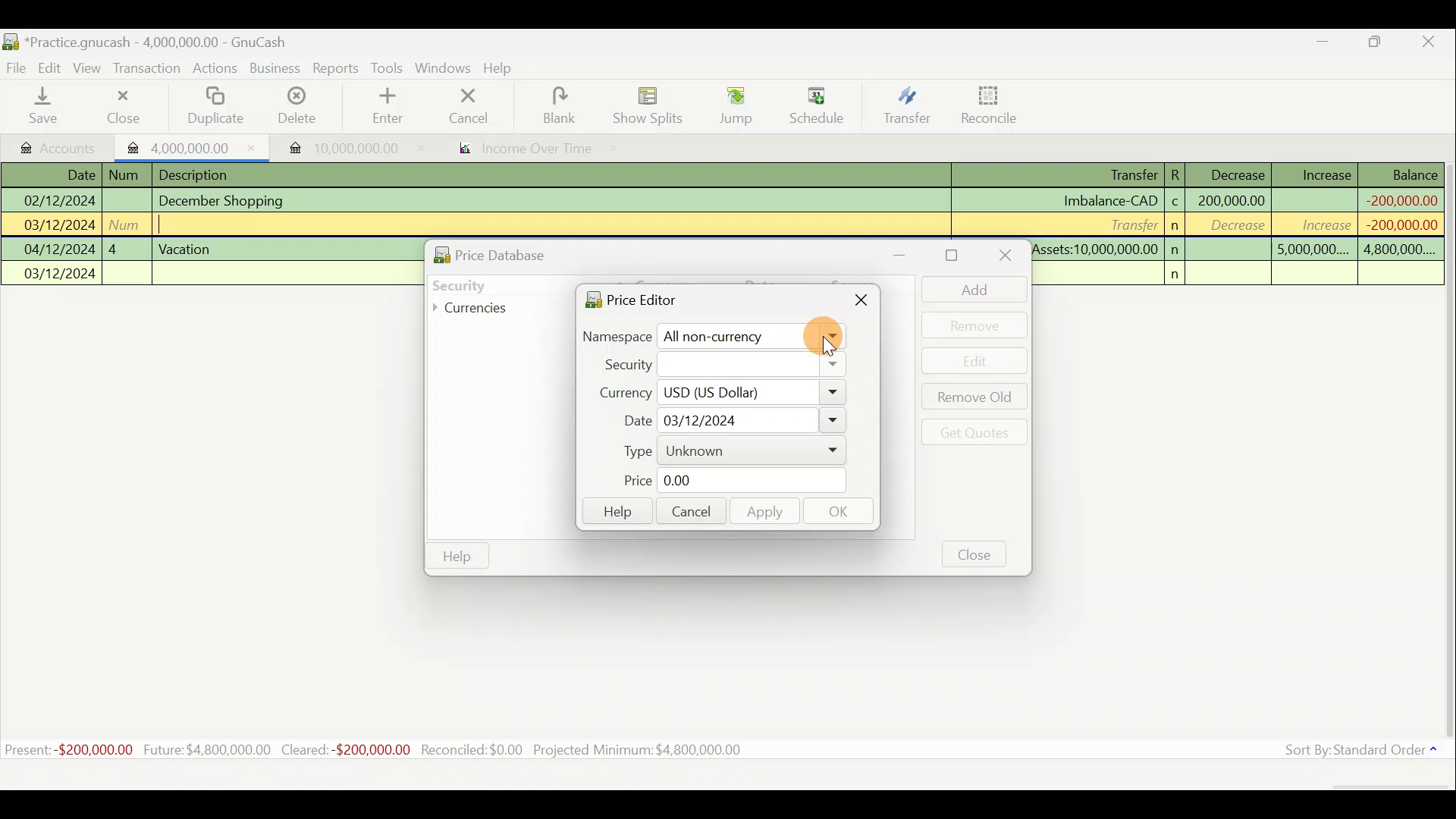  I want to click on Transaction, so click(151, 70).